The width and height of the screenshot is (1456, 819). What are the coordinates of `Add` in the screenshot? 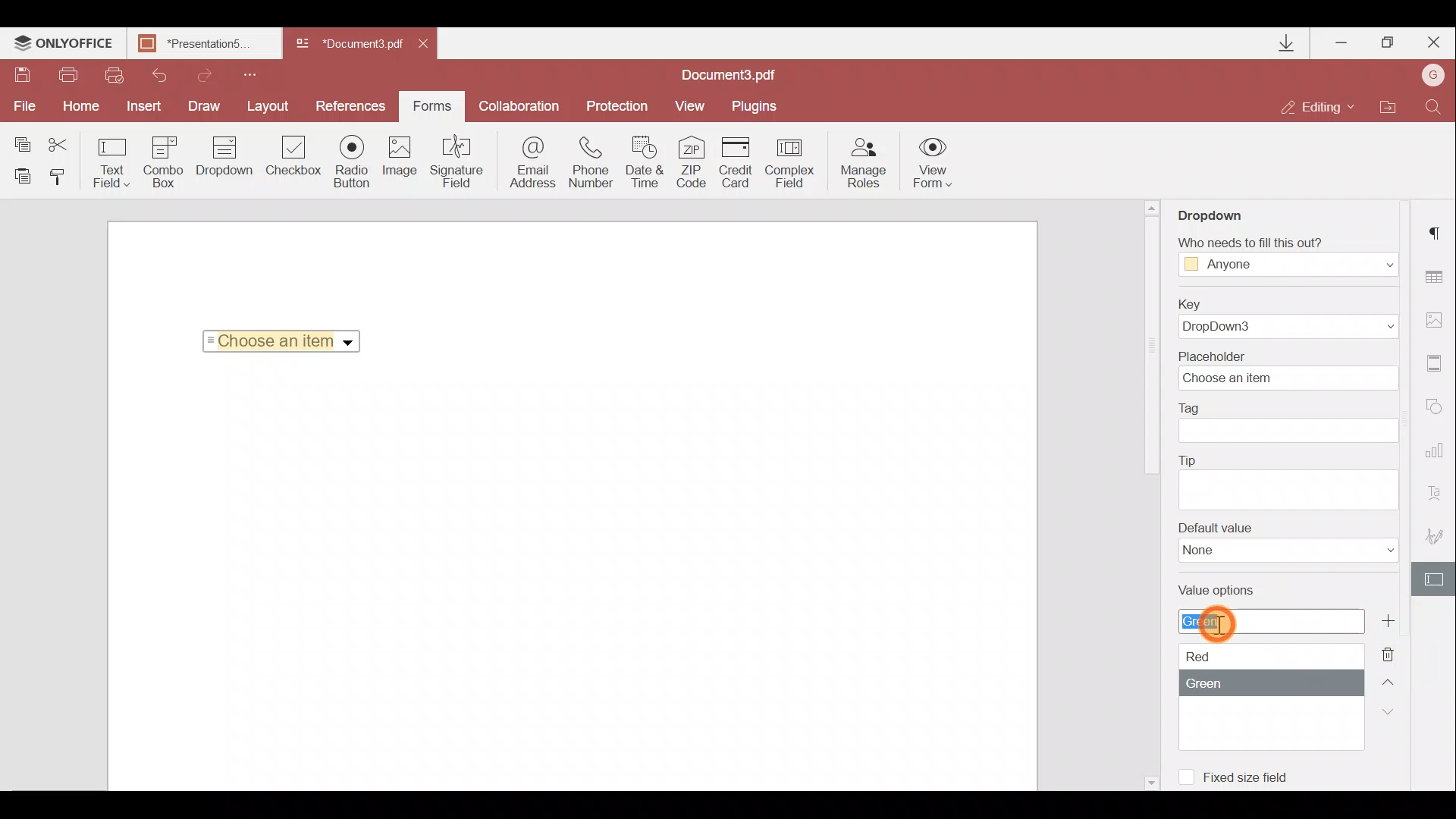 It's located at (1387, 620).